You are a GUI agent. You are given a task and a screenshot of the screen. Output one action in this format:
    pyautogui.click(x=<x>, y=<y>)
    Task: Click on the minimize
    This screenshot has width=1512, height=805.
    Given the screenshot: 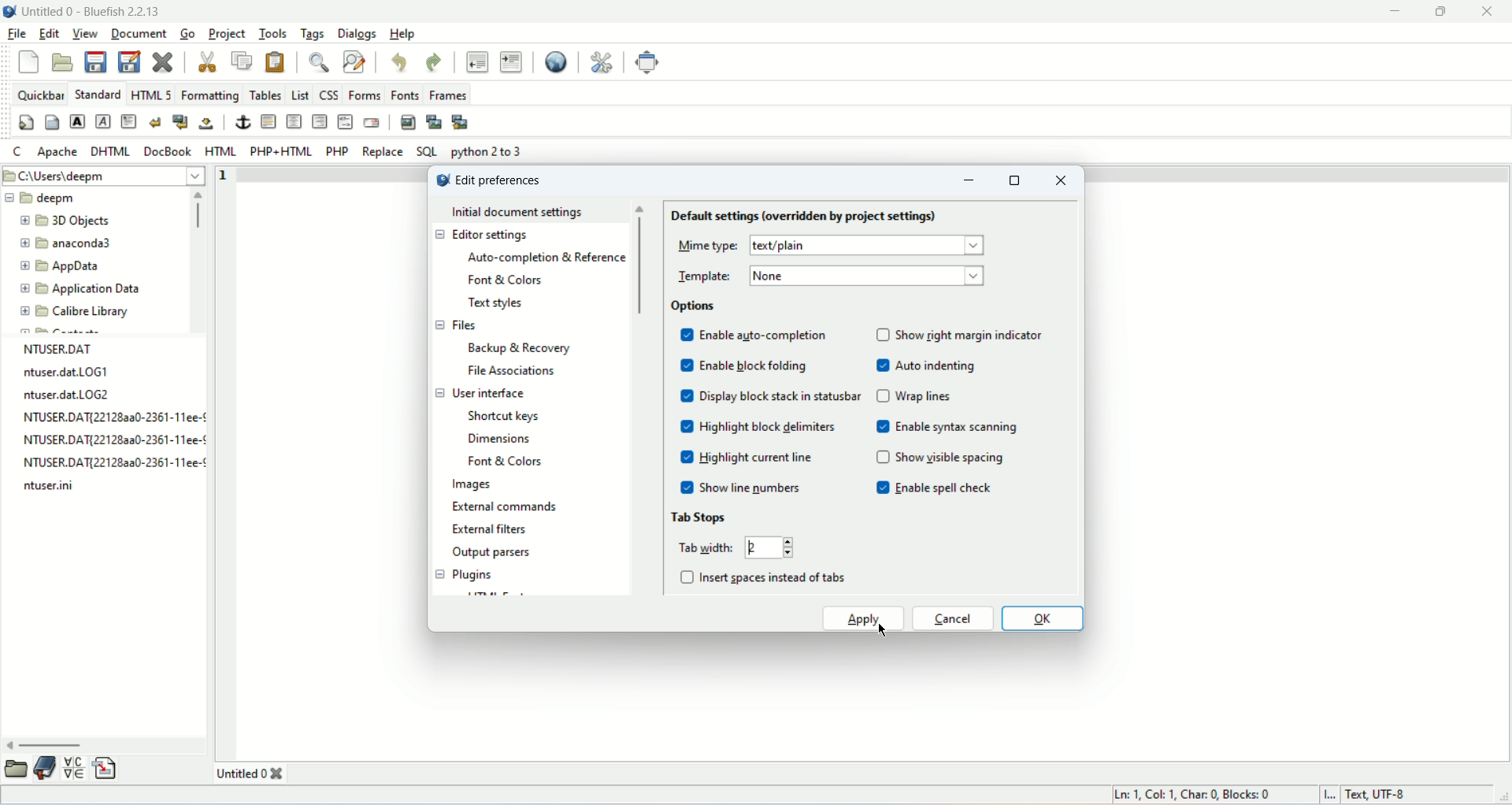 What is the action you would take?
    pyautogui.click(x=1392, y=12)
    